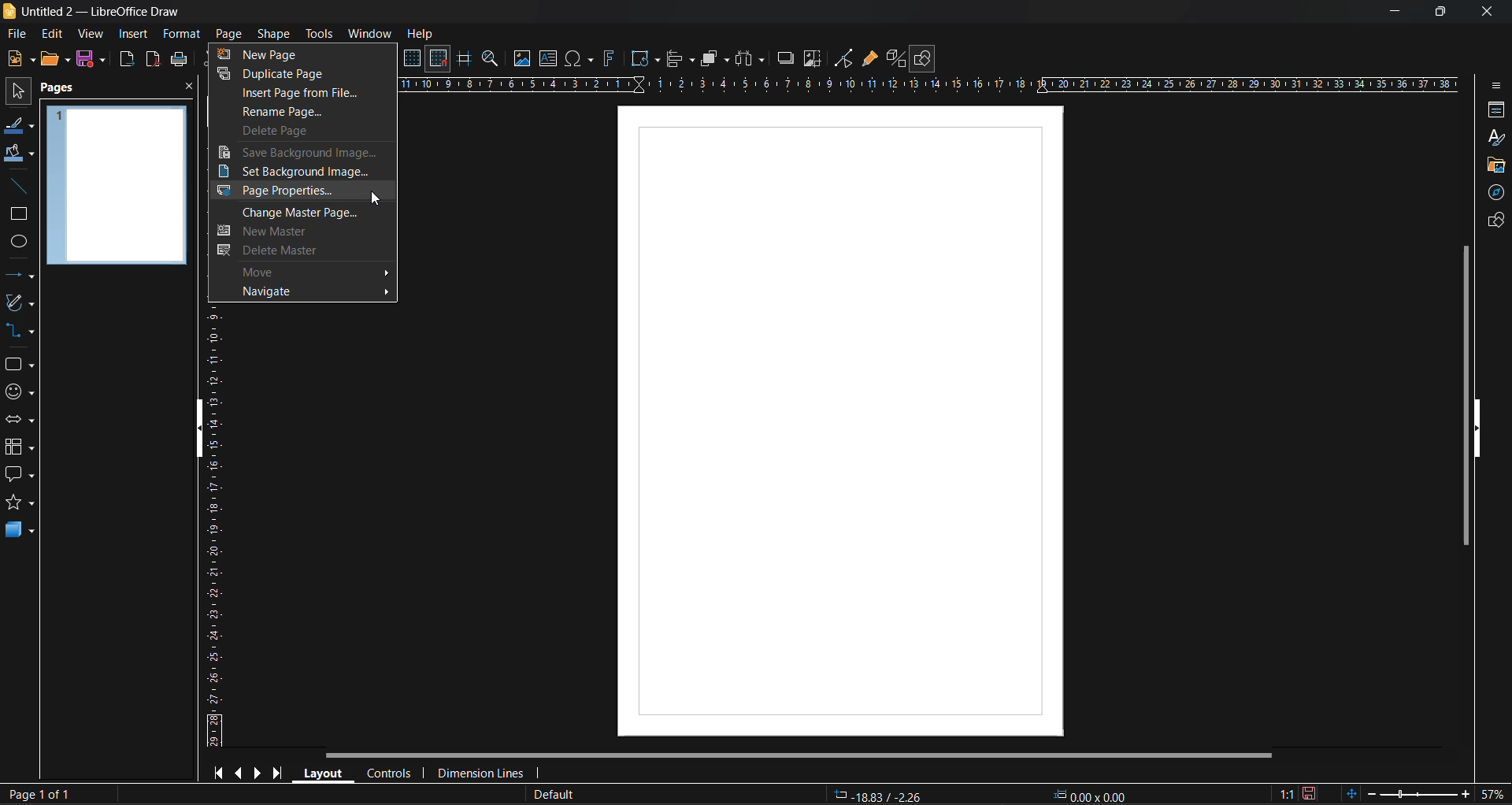 The image size is (1512, 805). What do you see at coordinates (485, 772) in the screenshot?
I see `dimension lines` at bounding box center [485, 772].